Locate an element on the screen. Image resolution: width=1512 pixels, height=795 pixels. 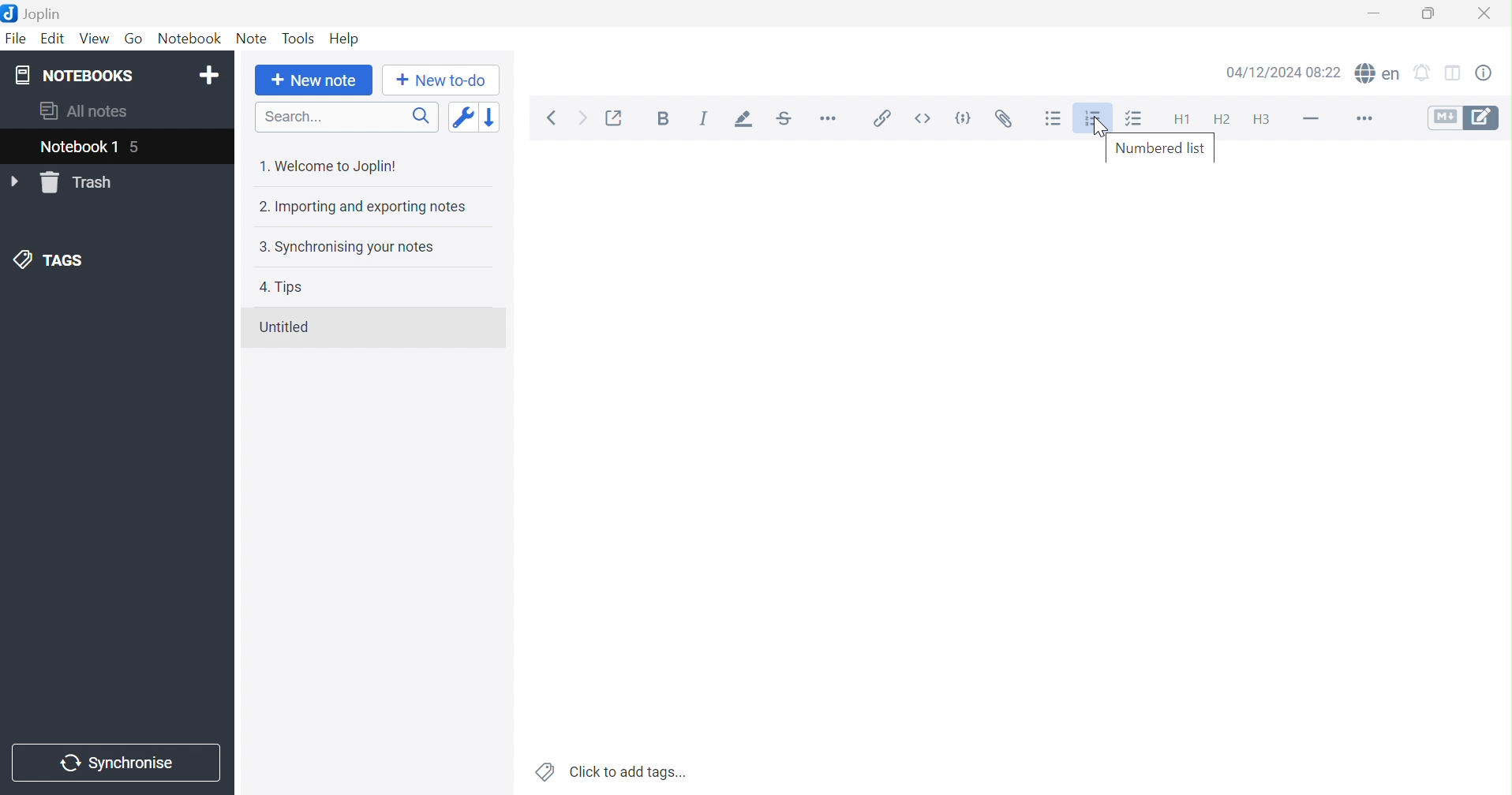
Drop Down is located at coordinates (16, 182).